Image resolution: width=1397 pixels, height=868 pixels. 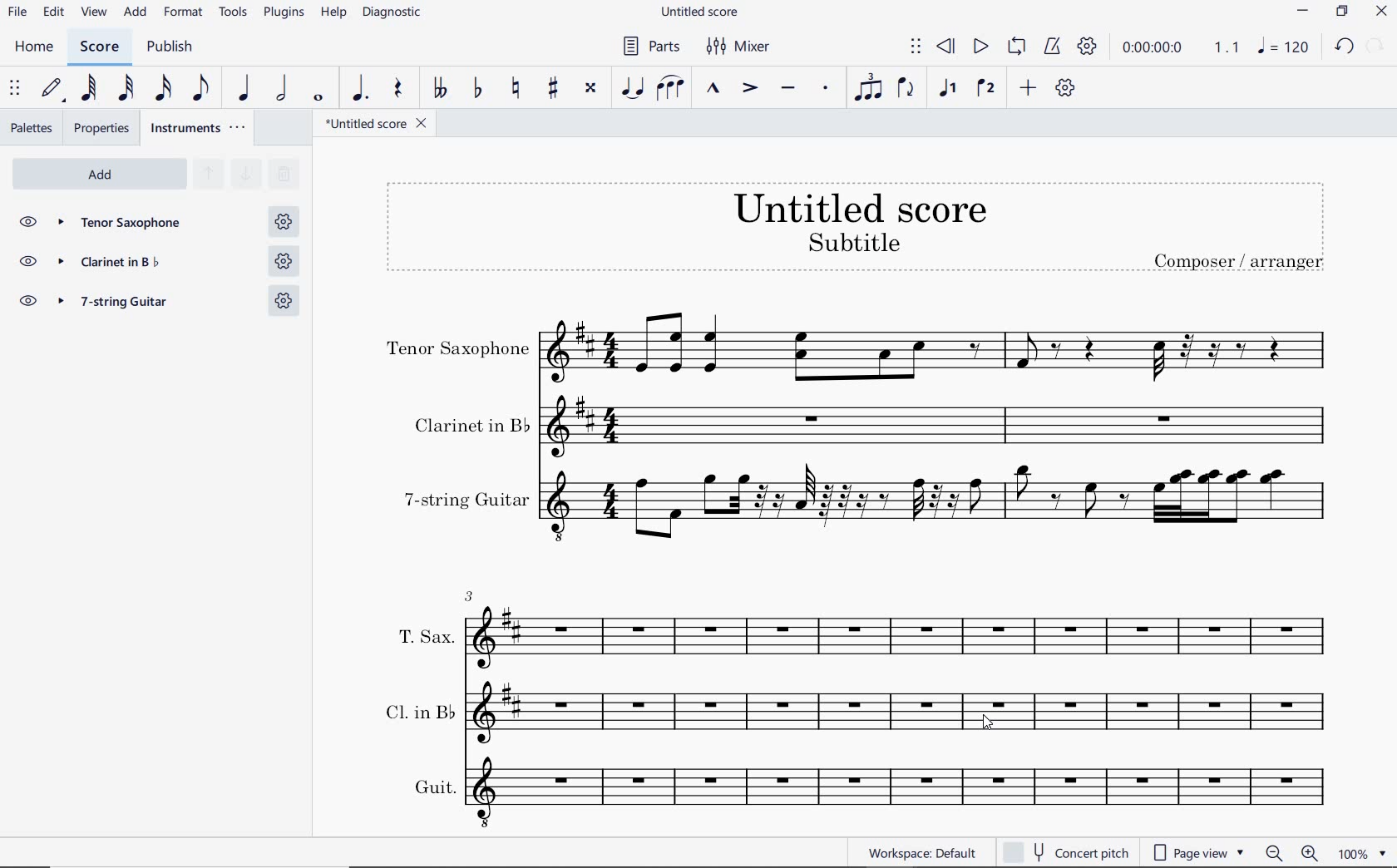 What do you see at coordinates (105, 128) in the screenshot?
I see `PROPERTIES` at bounding box center [105, 128].